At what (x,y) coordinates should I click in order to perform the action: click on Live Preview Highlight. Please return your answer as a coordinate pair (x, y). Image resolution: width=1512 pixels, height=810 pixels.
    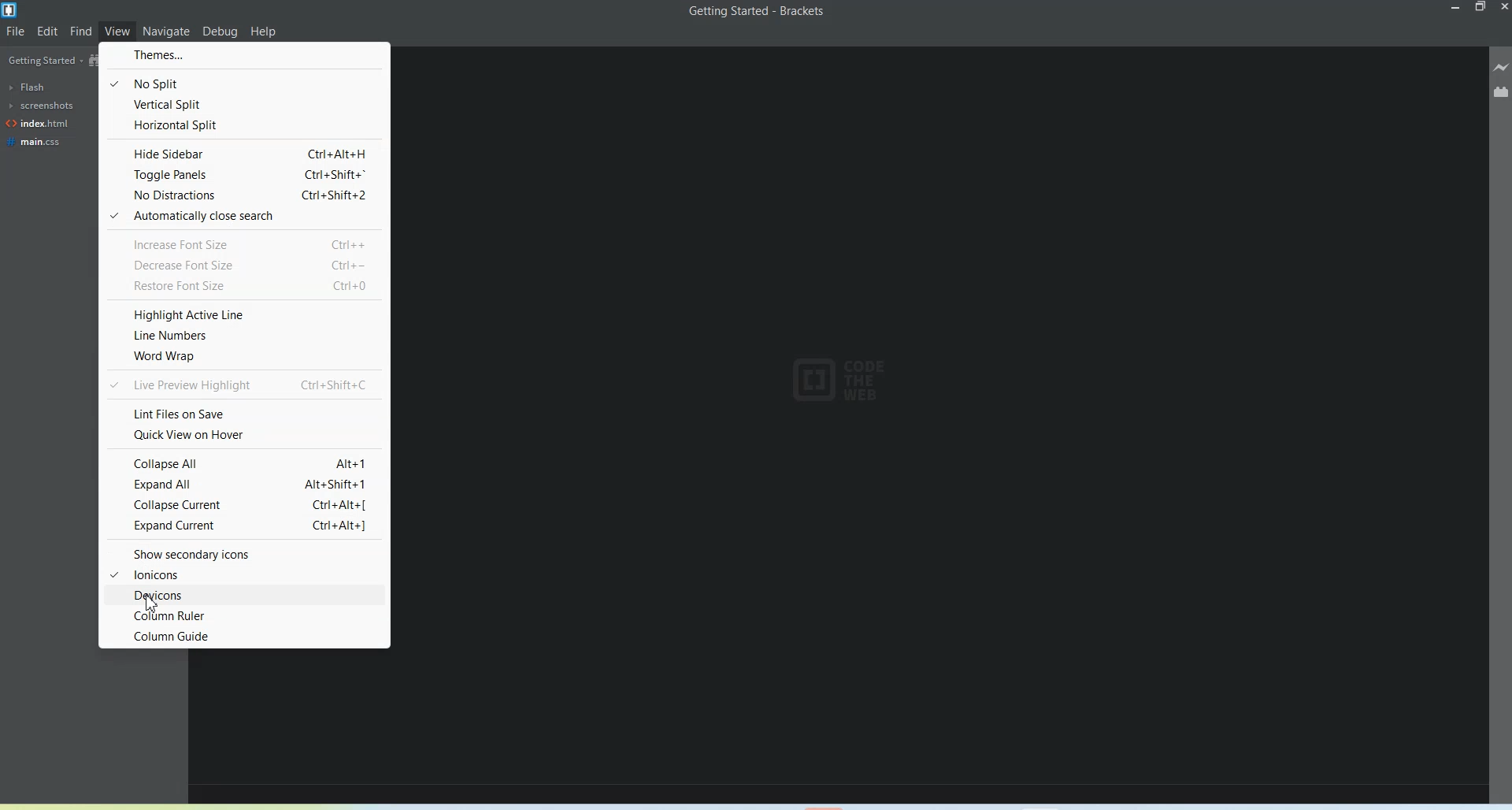
    Looking at the image, I should click on (243, 384).